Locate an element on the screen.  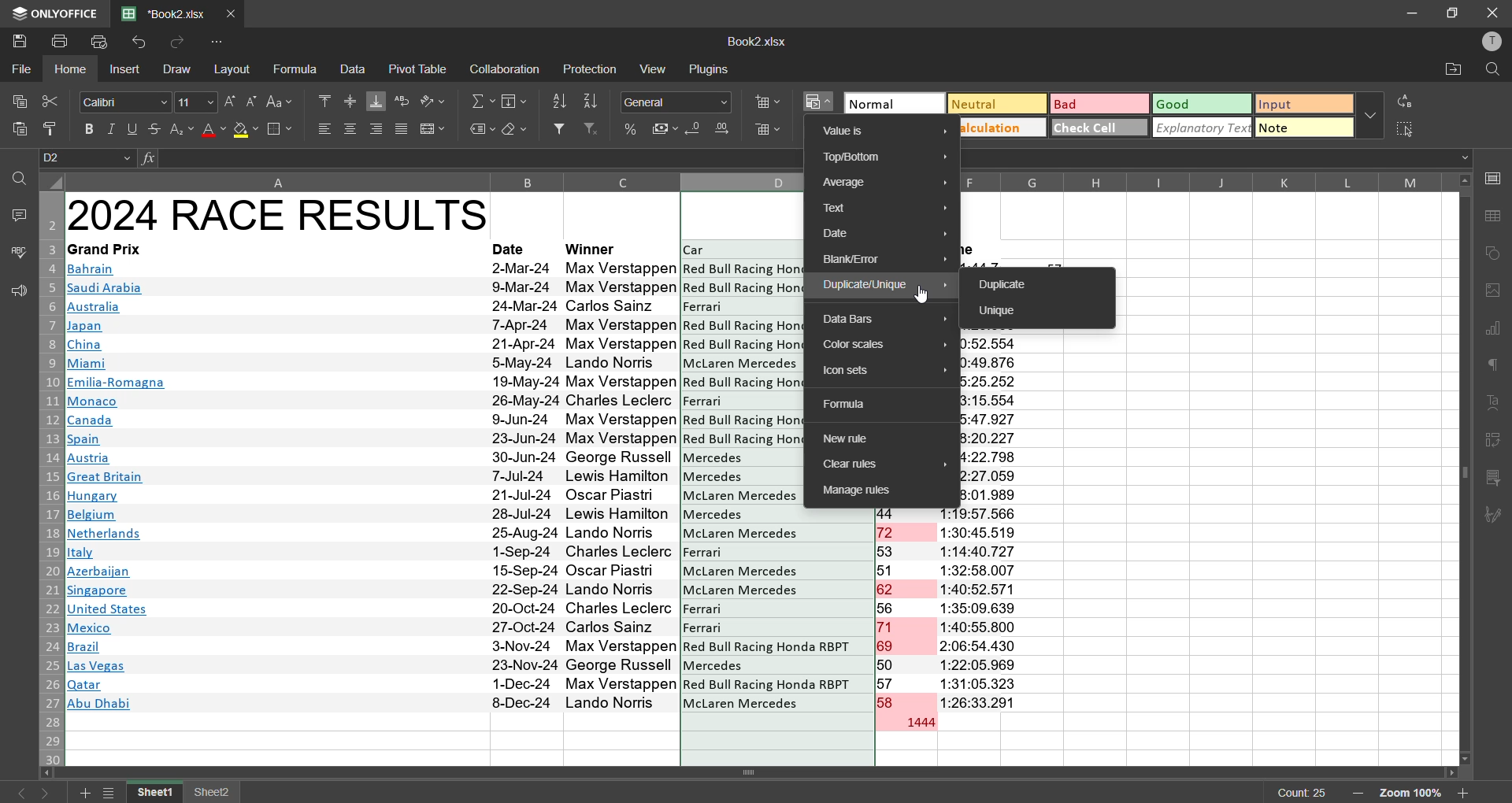
align center is located at coordinates (350, 128).